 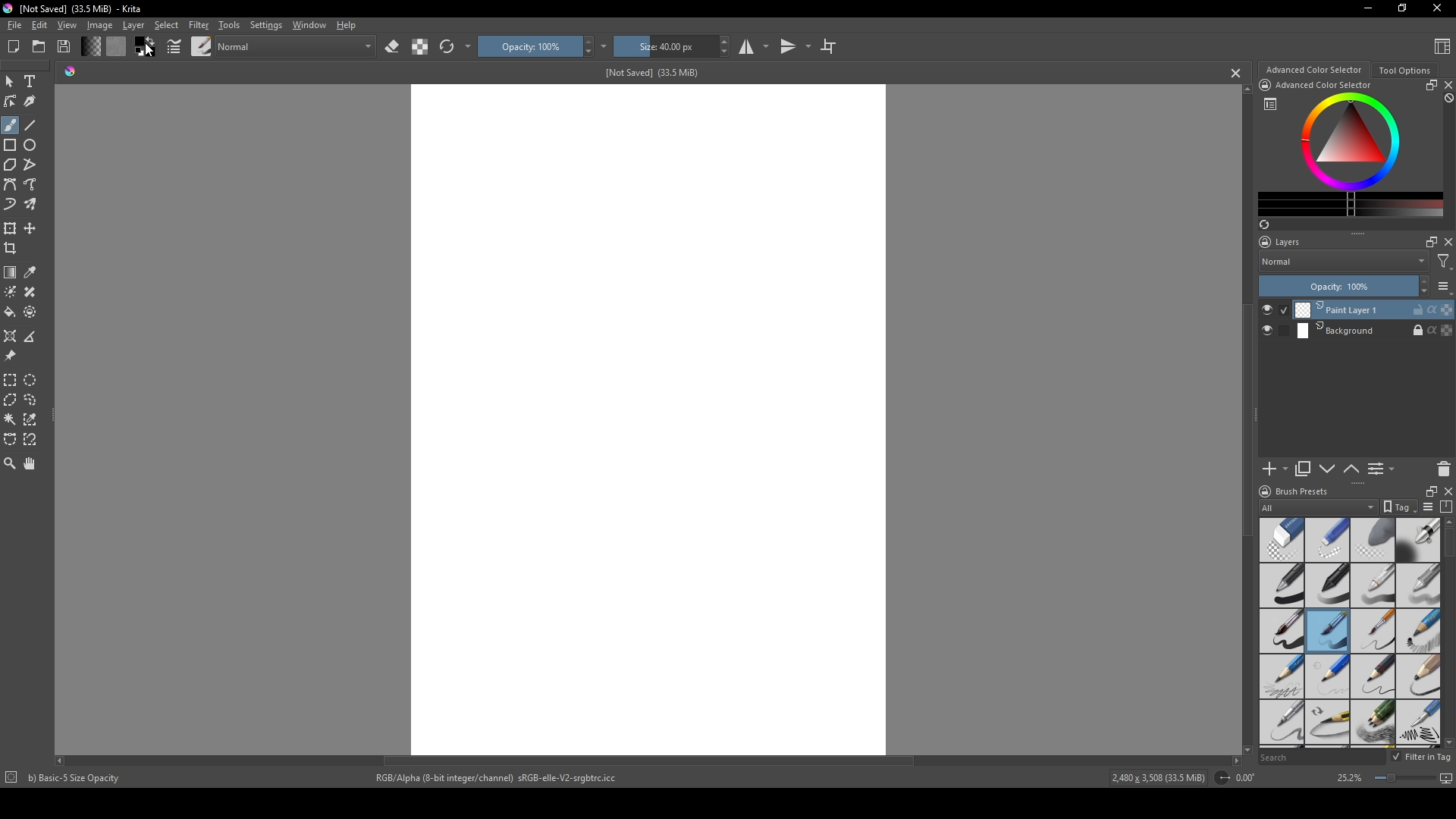 I want to click on change color, so click(x=1351, y=204).